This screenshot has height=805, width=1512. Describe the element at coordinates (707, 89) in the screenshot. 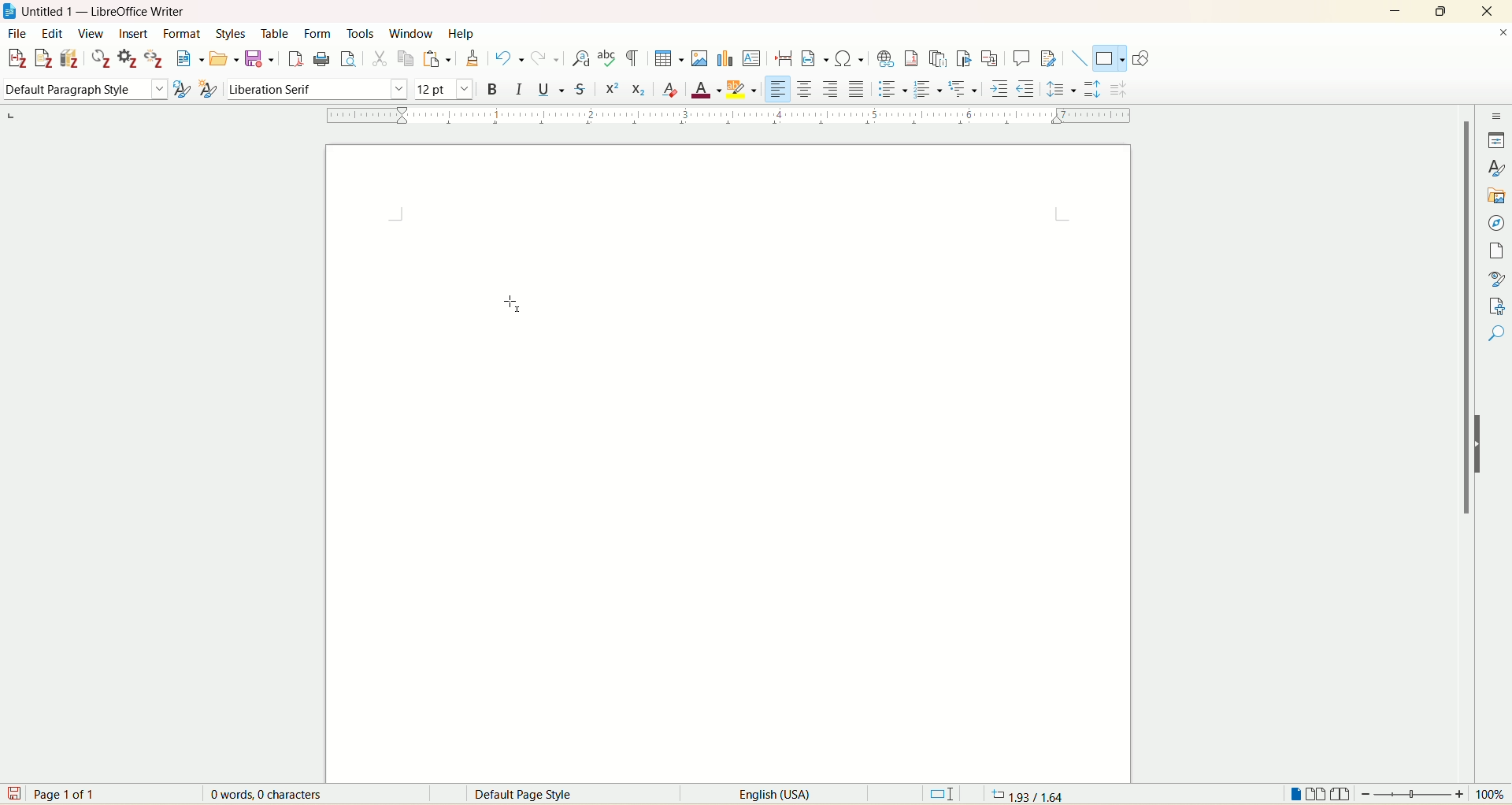

I see `font color` at that location.